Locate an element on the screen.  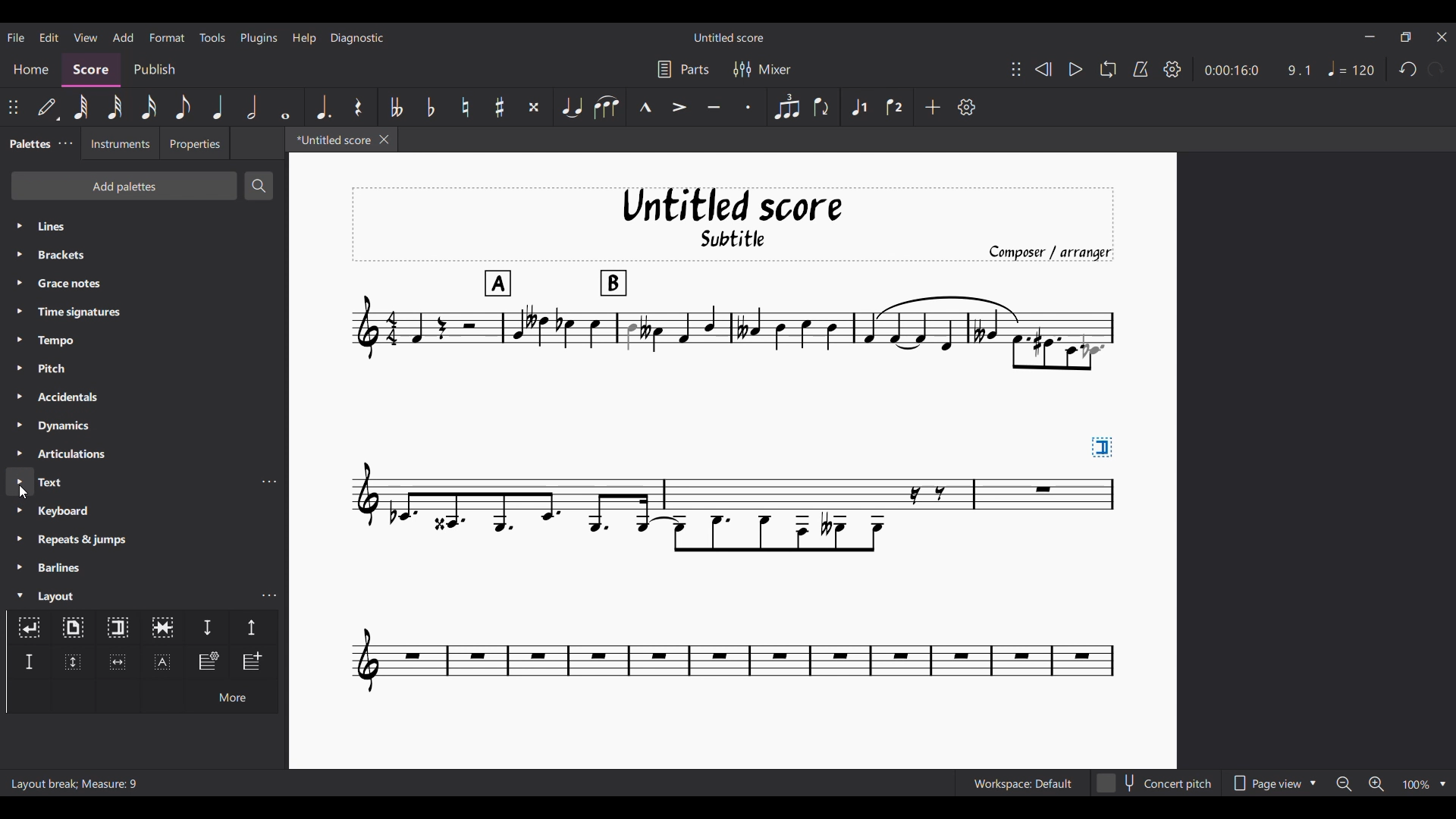
Lines is located at coordinates (144, 226).